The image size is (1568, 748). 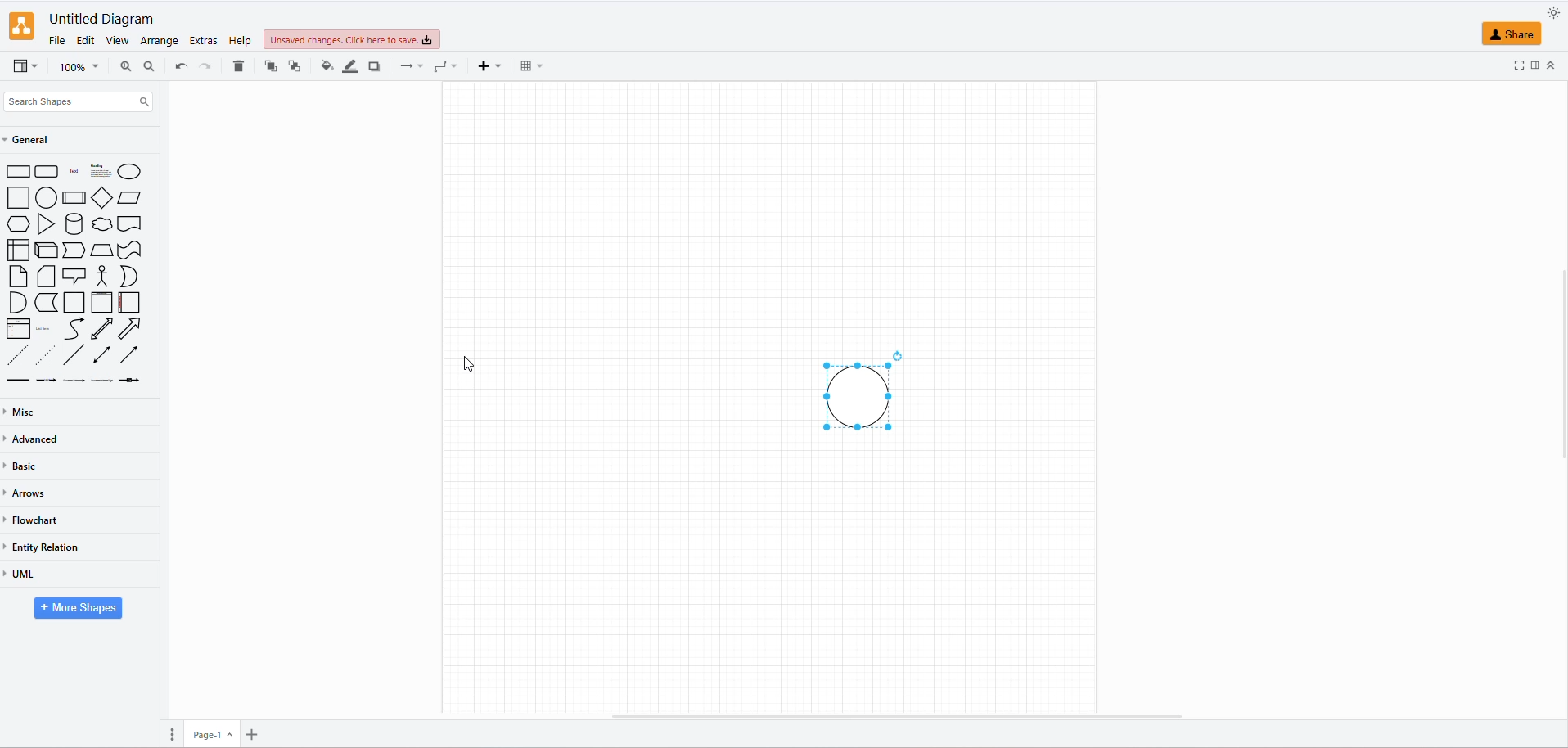 I want to click on CUBE, so click(x=44, y=247).